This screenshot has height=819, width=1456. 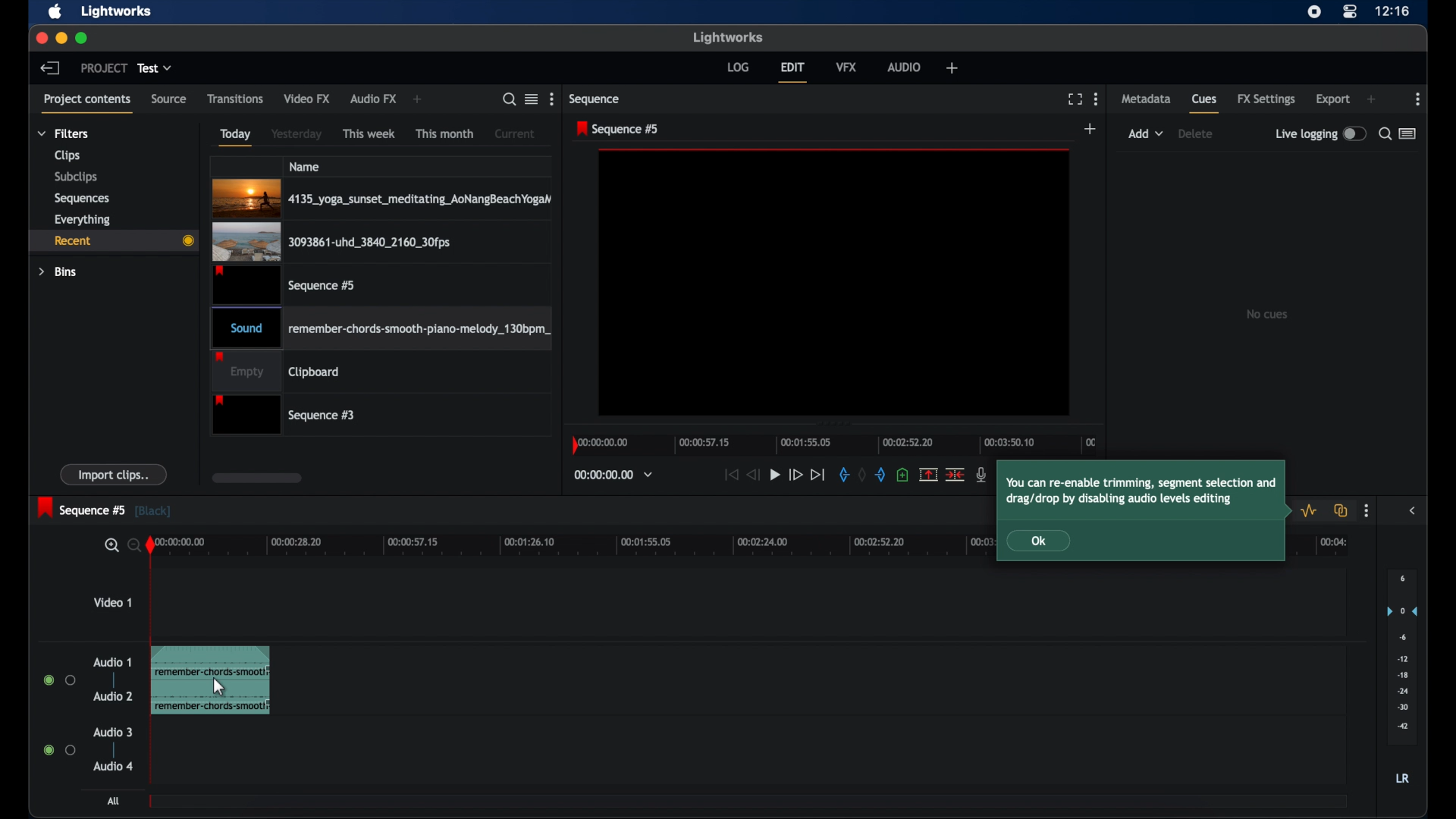 What do you see at coordinates (846, 66) in the screenshot?
I see `vfx` at bounding box center [846, 66].